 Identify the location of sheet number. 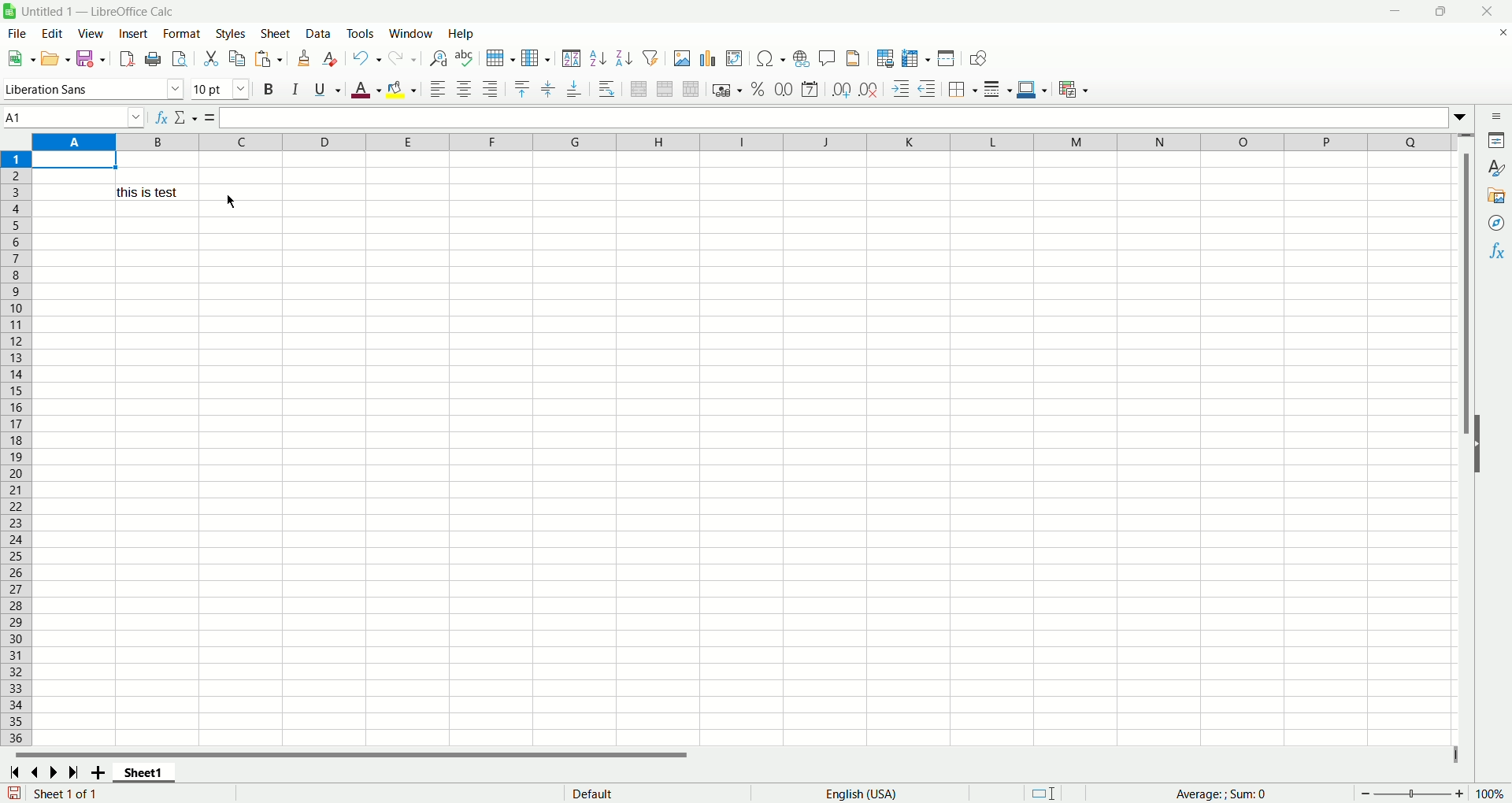
(88, 794).